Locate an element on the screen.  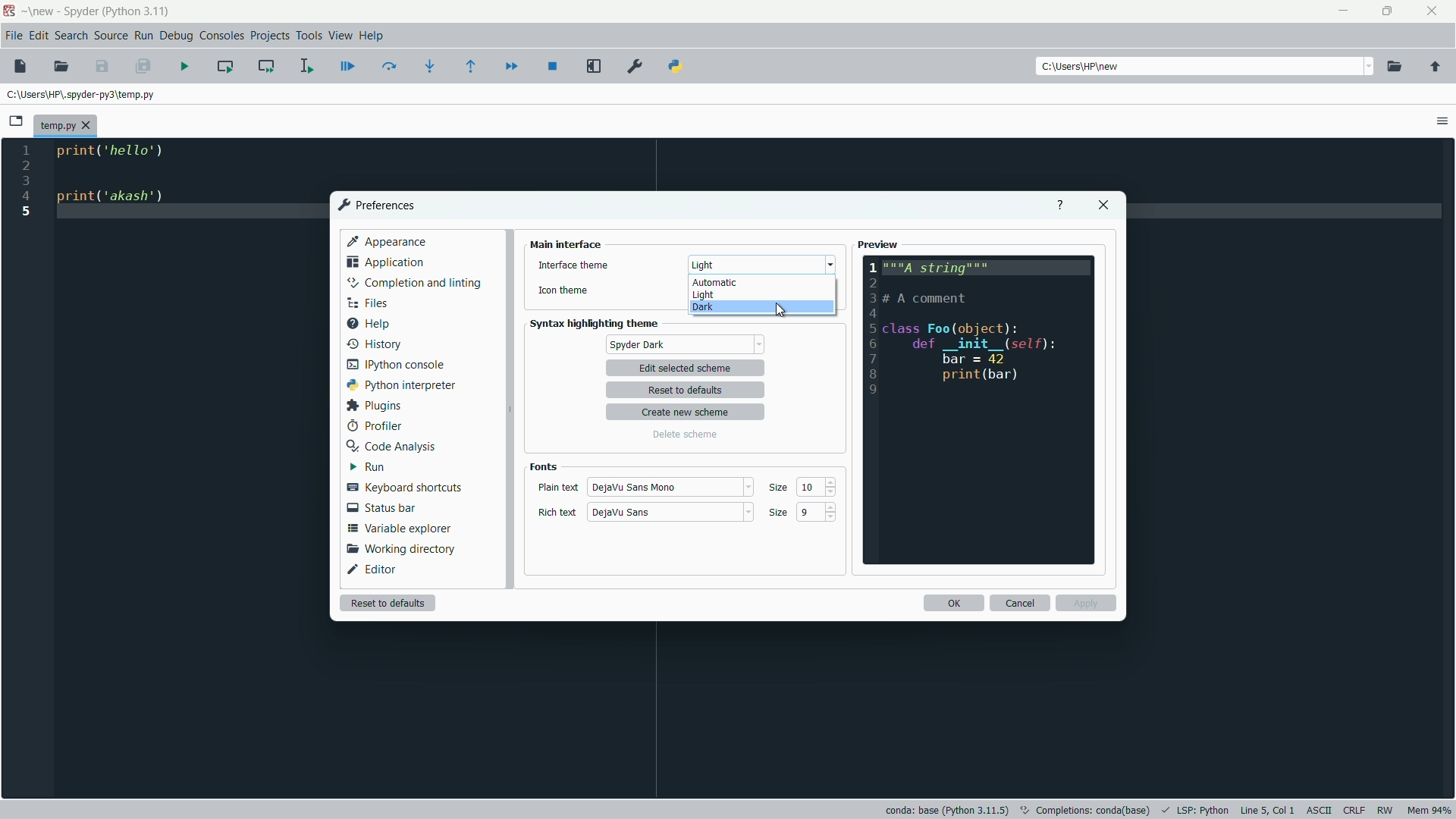
size is located at coordinates (777, 513).